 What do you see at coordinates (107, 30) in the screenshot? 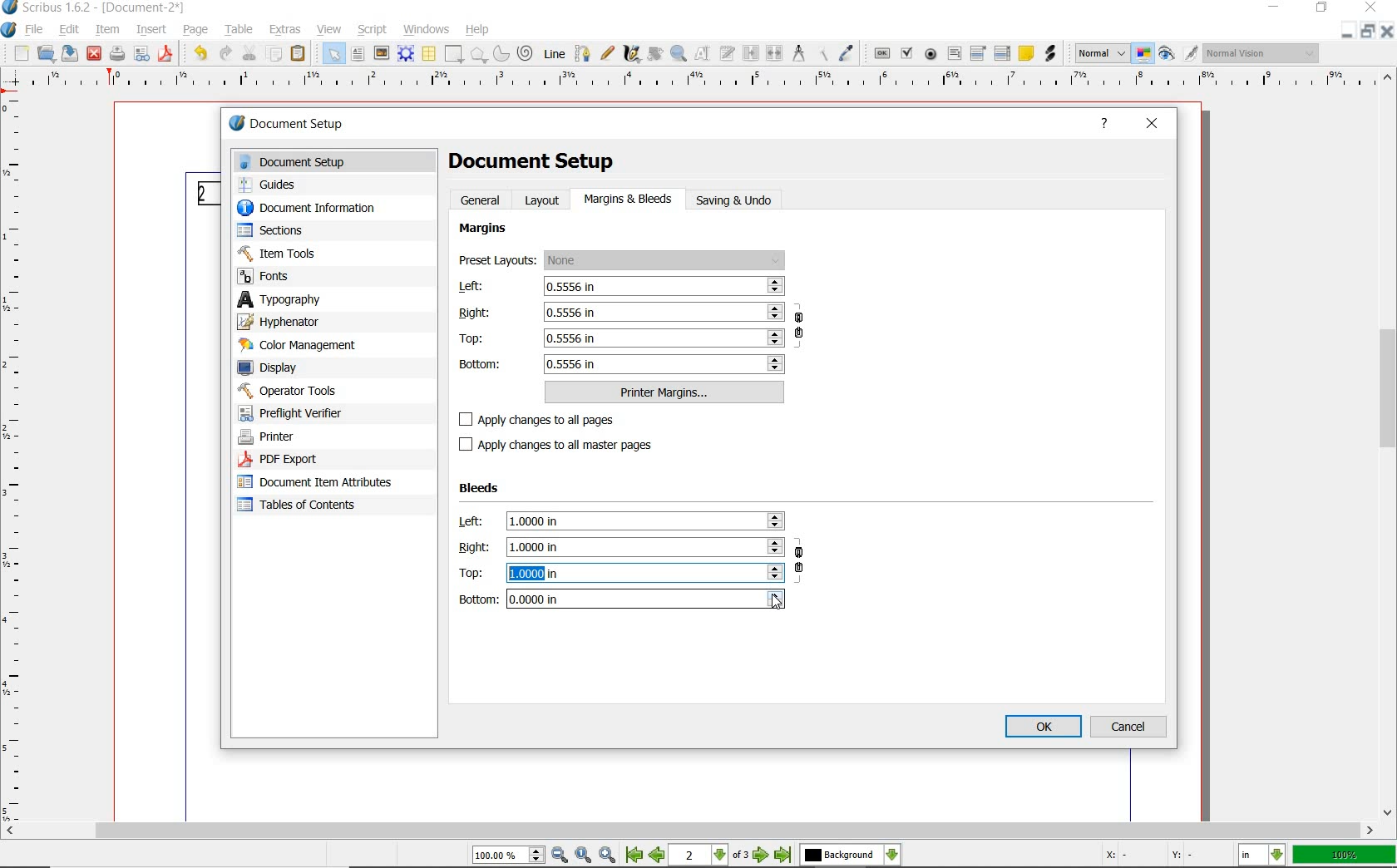
I see `item` at bounding box center [107, 30].